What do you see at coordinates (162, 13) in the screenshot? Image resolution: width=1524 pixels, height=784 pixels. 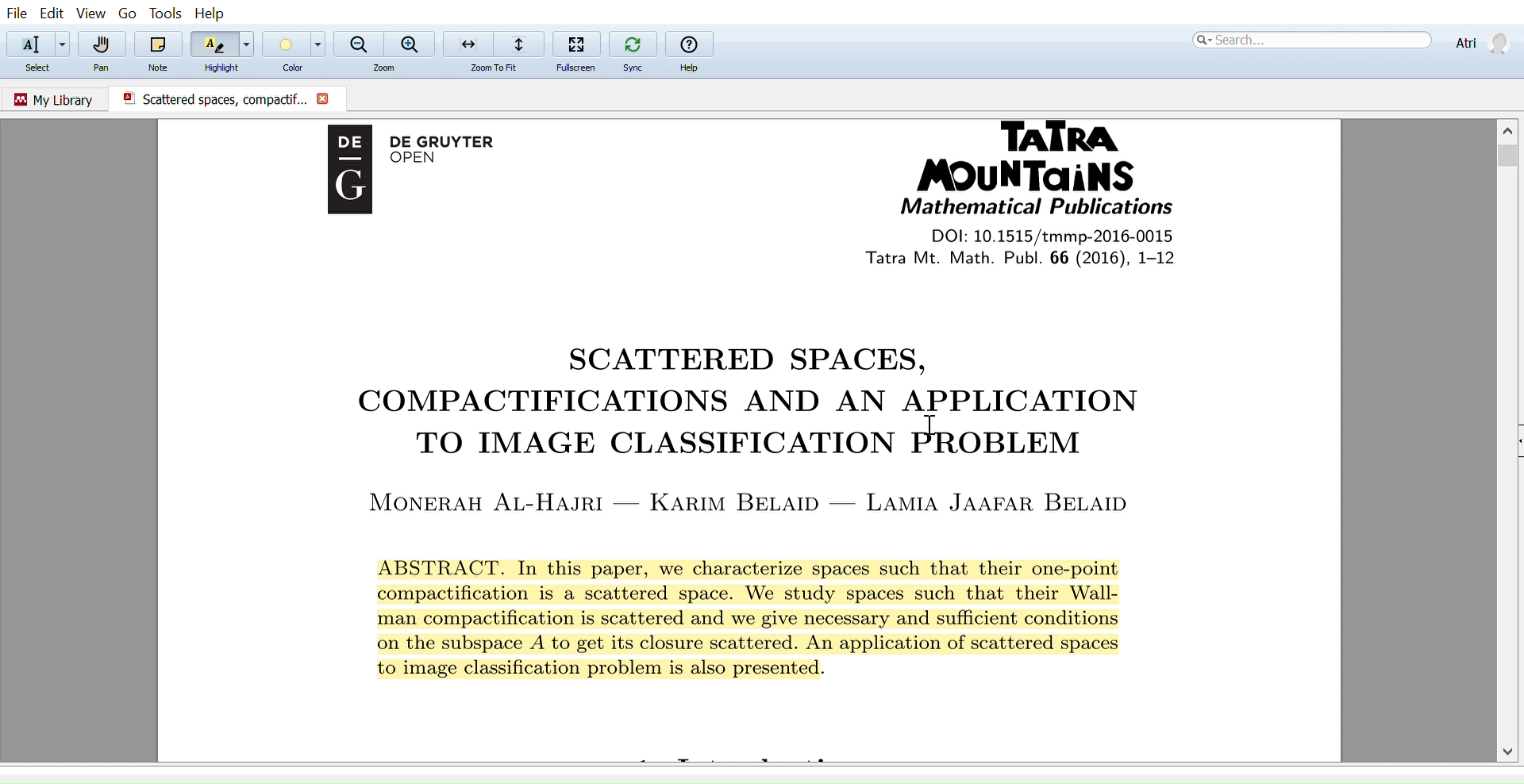 I see `Tools` at bounding box center [162, 13].